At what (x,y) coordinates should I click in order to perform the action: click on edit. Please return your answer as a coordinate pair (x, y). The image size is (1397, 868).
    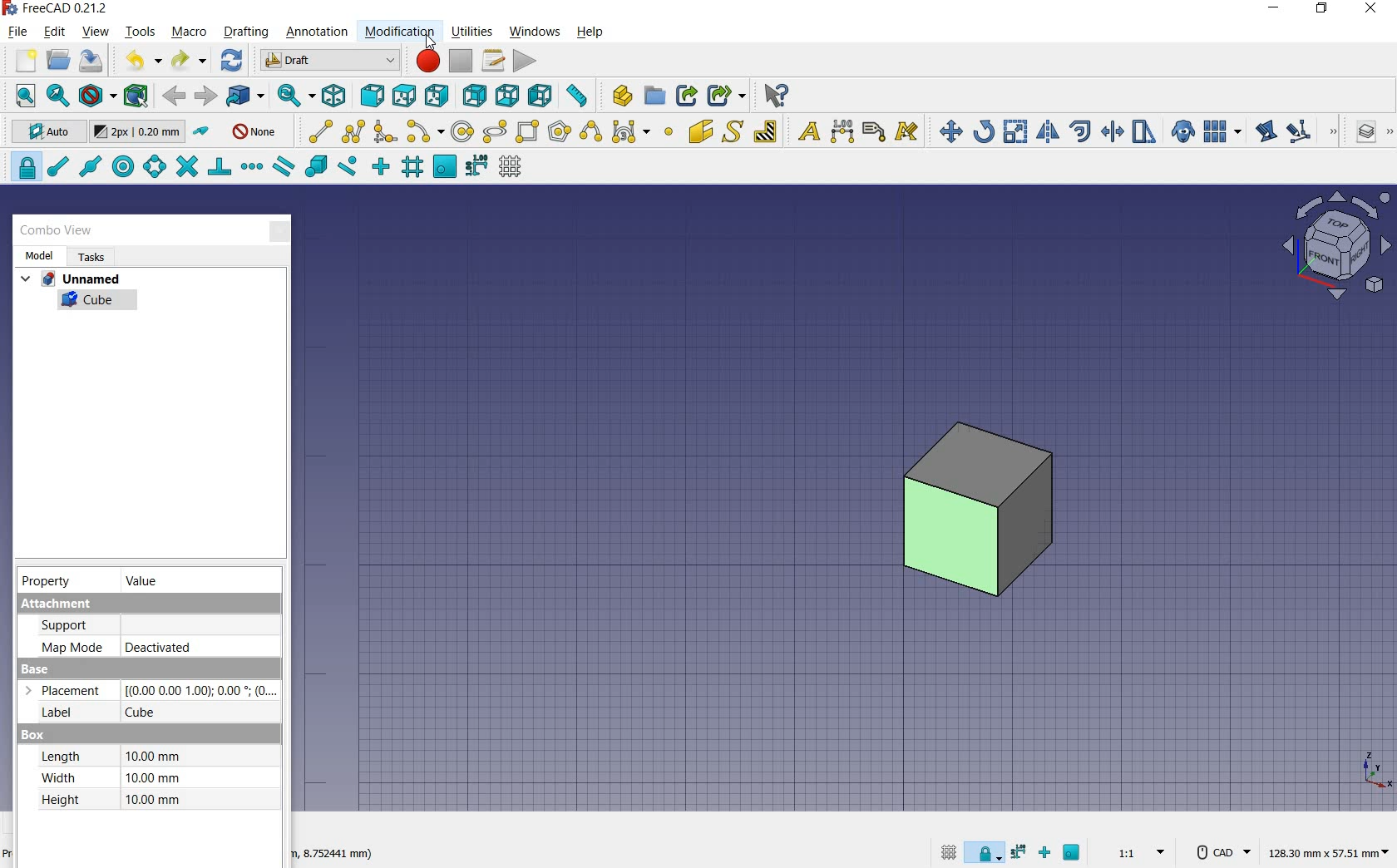
    Looking at the image, I should click on (1266, 131).